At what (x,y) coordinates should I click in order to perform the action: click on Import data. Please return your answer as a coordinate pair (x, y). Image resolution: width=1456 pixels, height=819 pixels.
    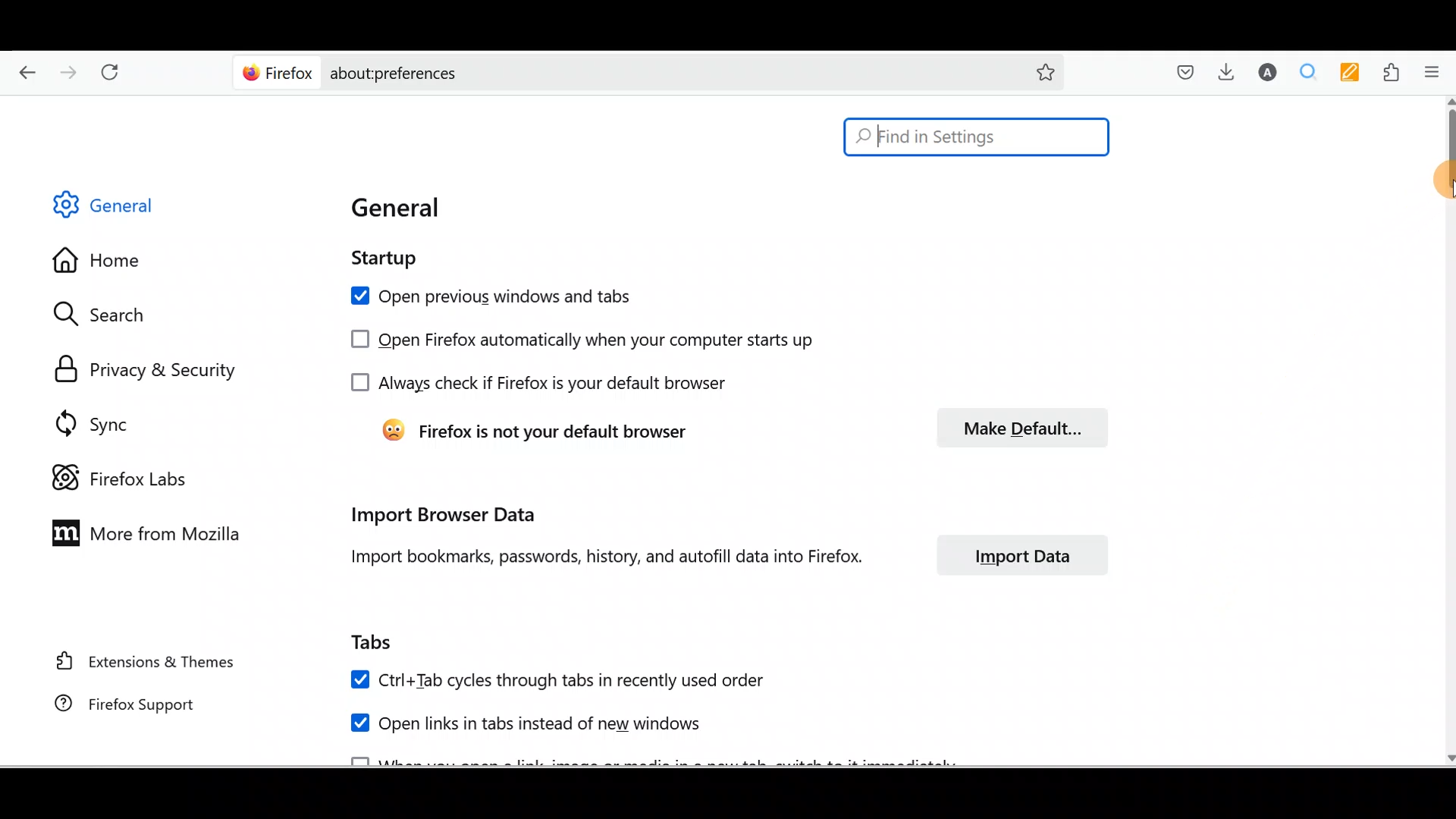
    Looking at the image, I should click on (1011, 556).